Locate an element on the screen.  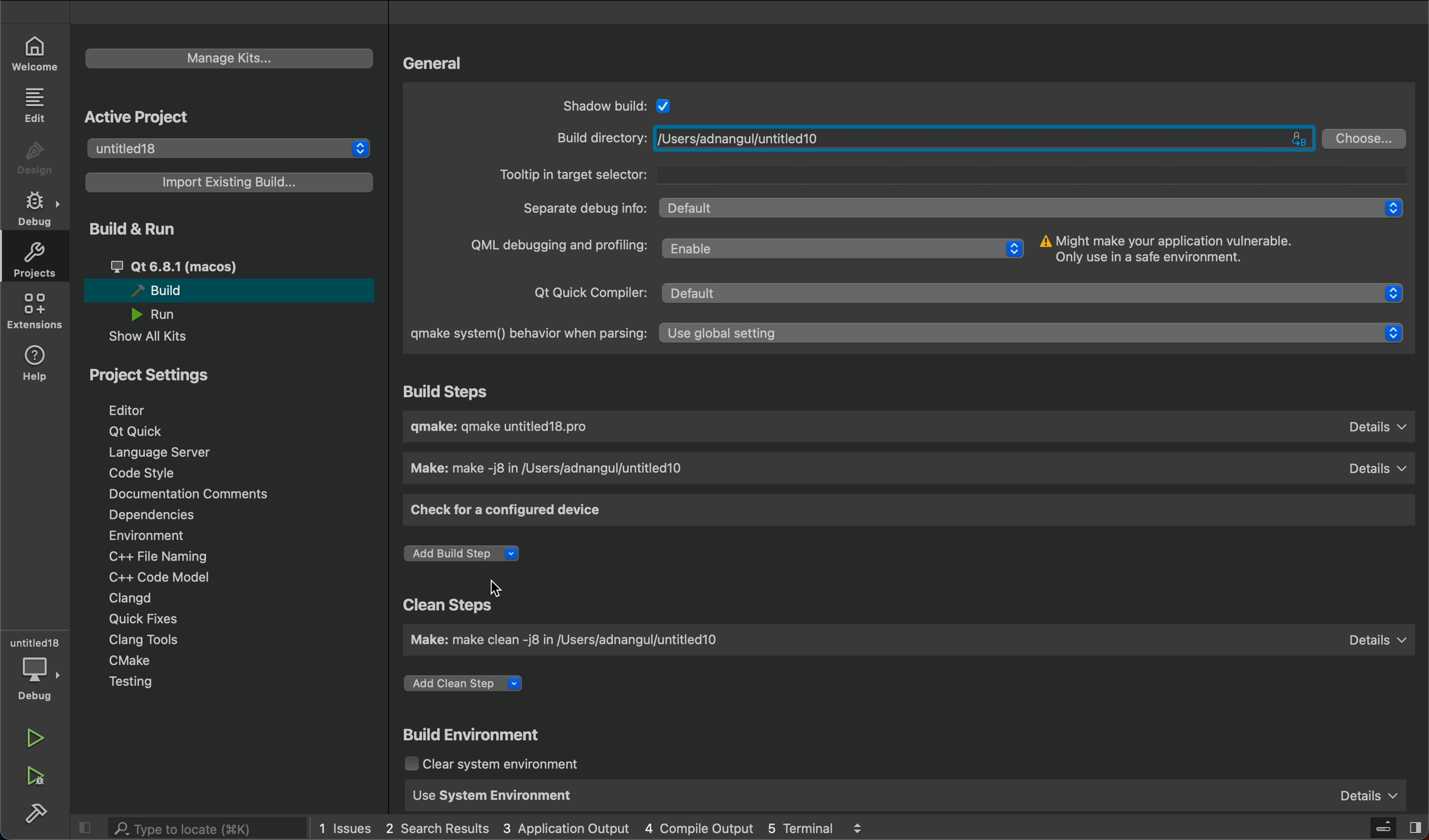
Project Settings is located at coordinates (151, 376).